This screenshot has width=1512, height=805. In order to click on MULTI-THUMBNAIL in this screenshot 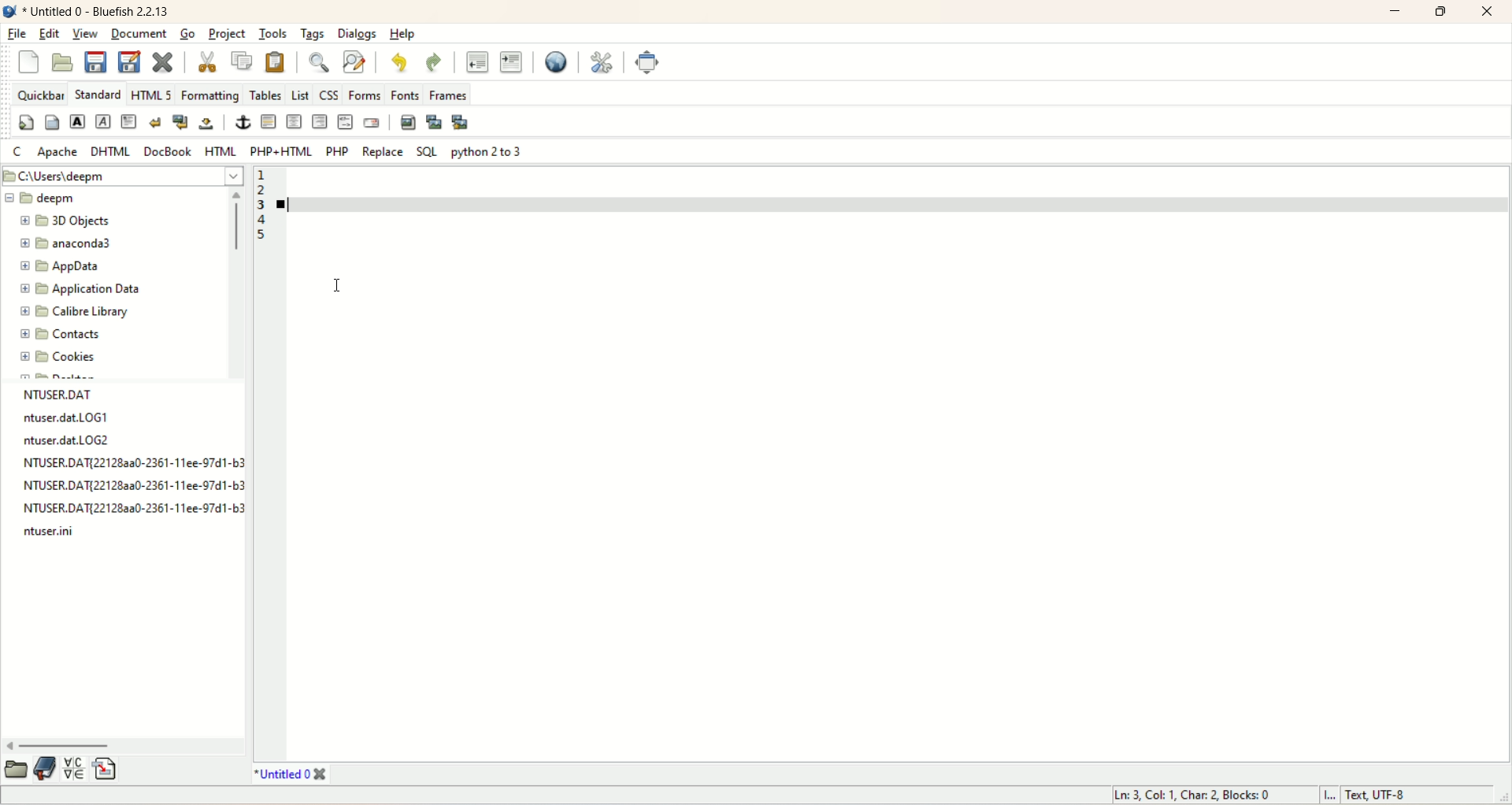, I will do `click(463, 124)`.